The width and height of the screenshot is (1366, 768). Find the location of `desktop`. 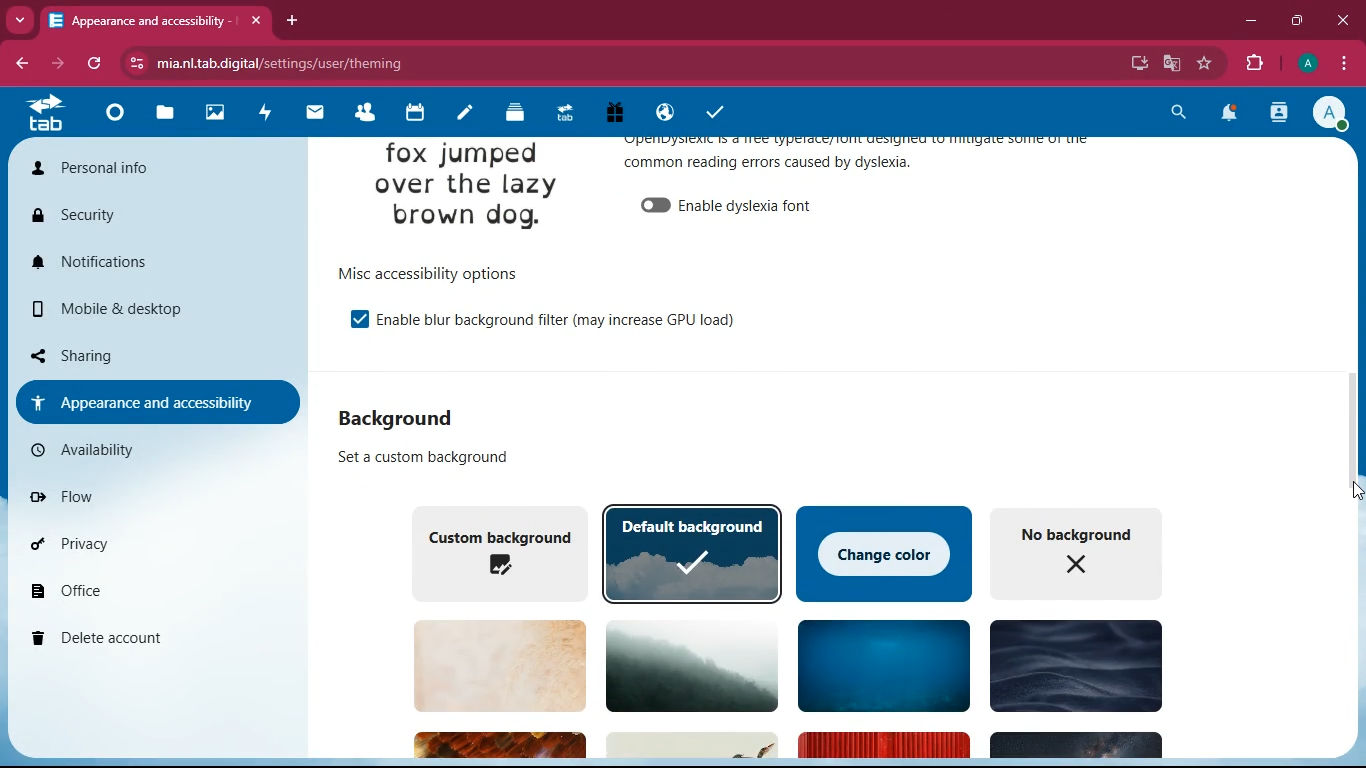

desktop is located at coordinates (1128, 61).